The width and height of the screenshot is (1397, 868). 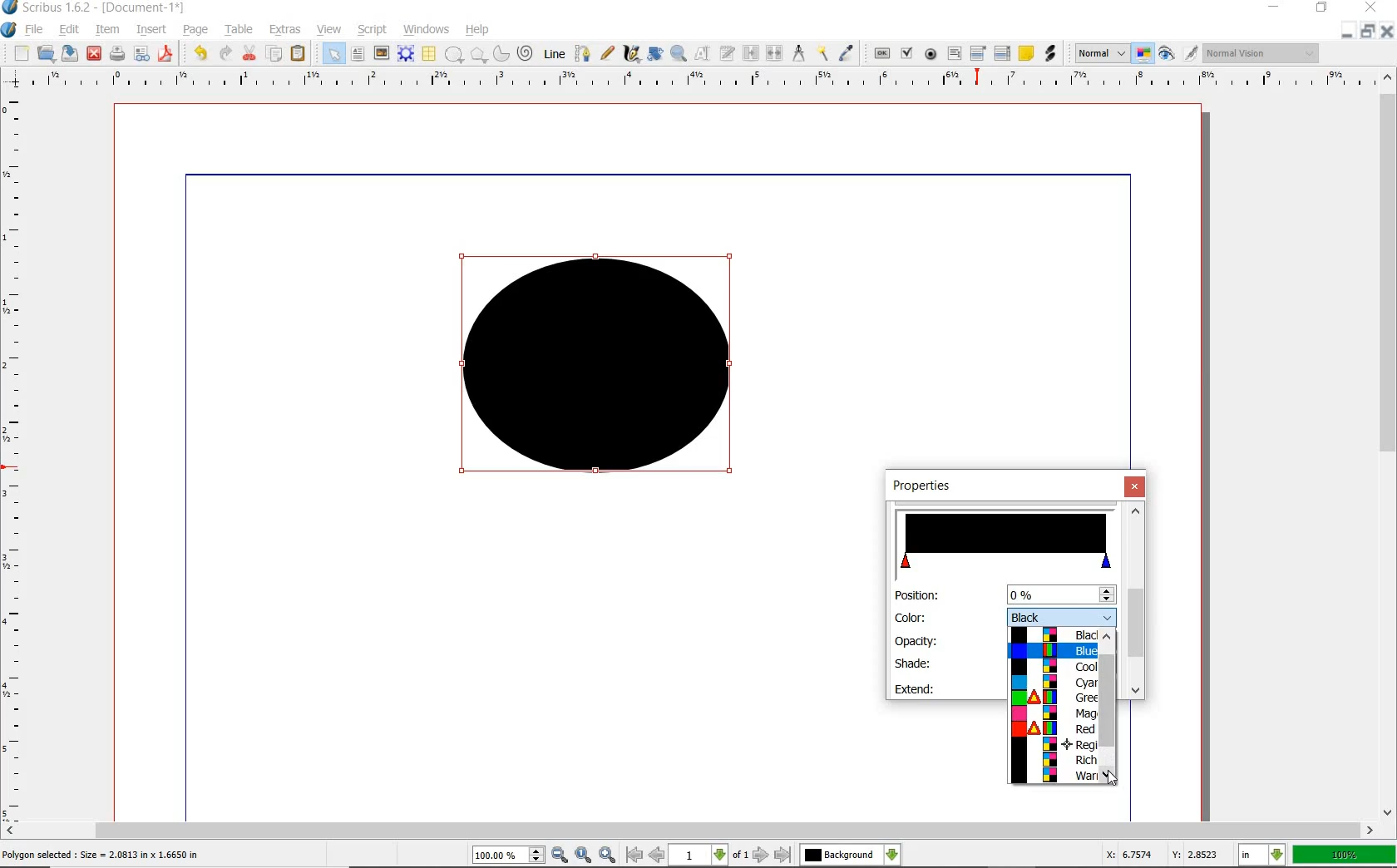 What do you see at coordinates (1344, 856) in the screenshot?
I see `ZOOM FACTOR` at bounding box center [1344, 856].